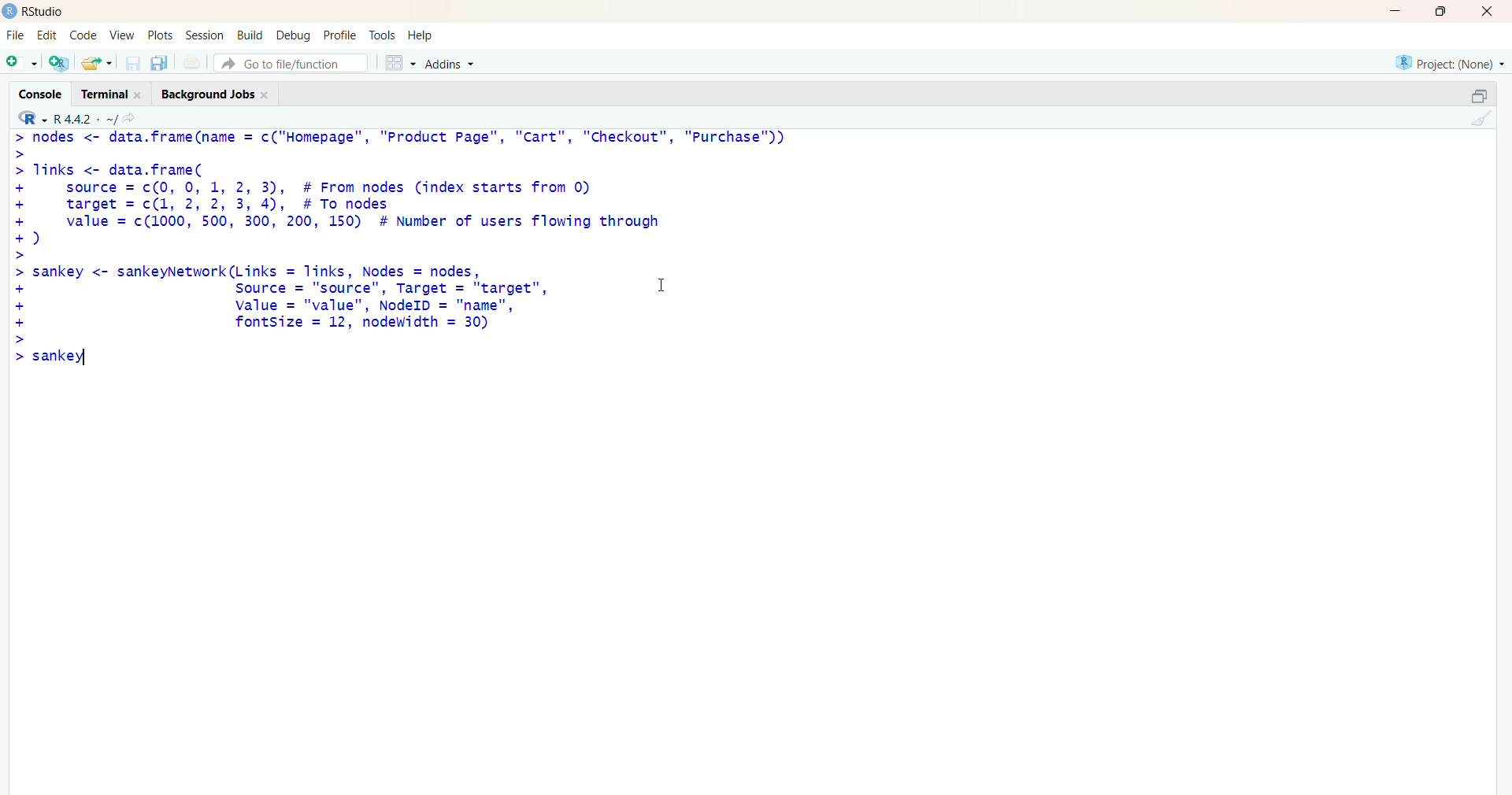  Describe the element at coordinates (156, 33) in the screenshot. I see `plots` at that location.